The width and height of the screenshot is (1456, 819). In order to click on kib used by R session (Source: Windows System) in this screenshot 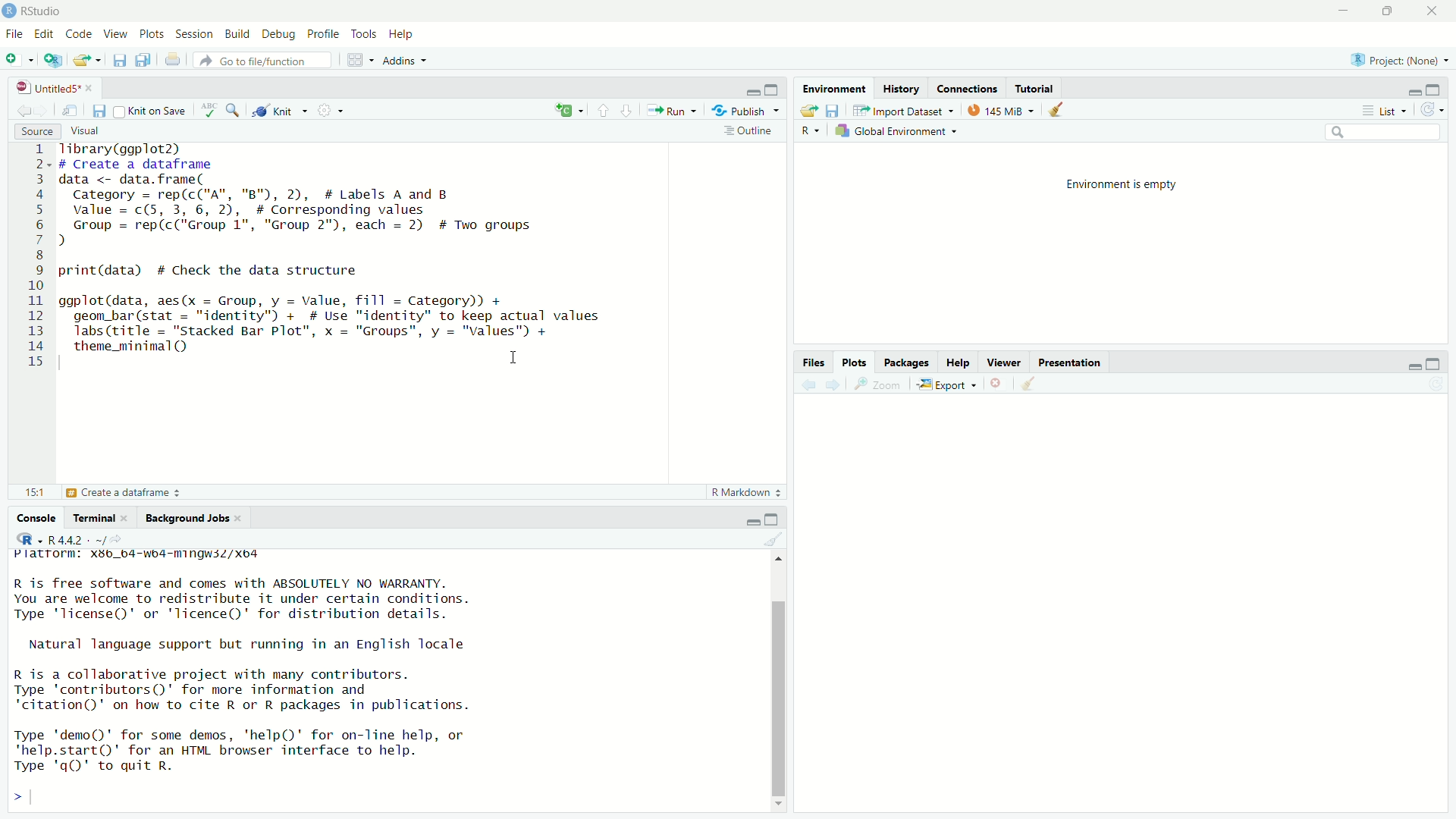, I will do `click(1001, 109)`.